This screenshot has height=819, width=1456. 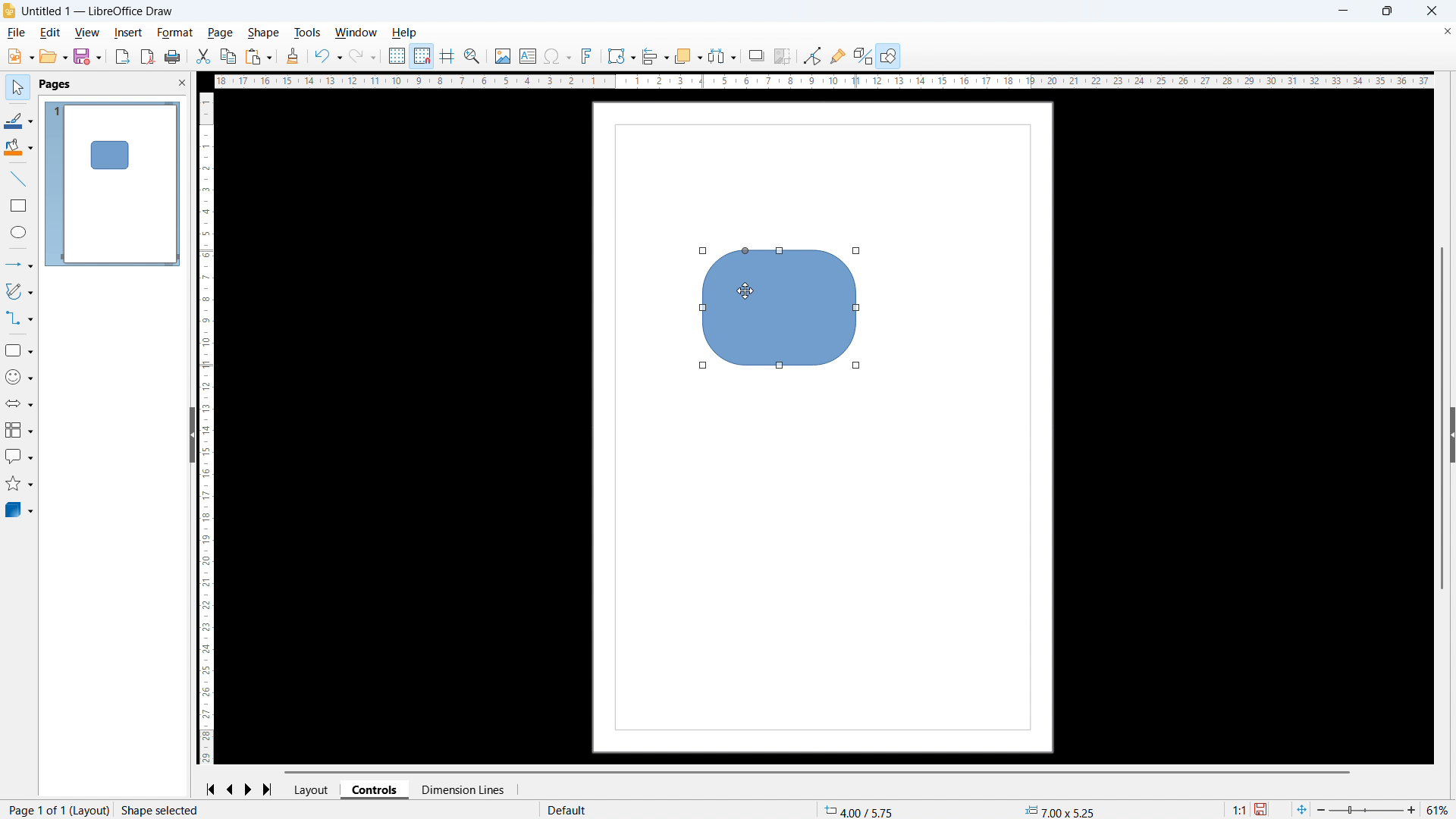 I want to click on save , so click(x=1263, y=809).